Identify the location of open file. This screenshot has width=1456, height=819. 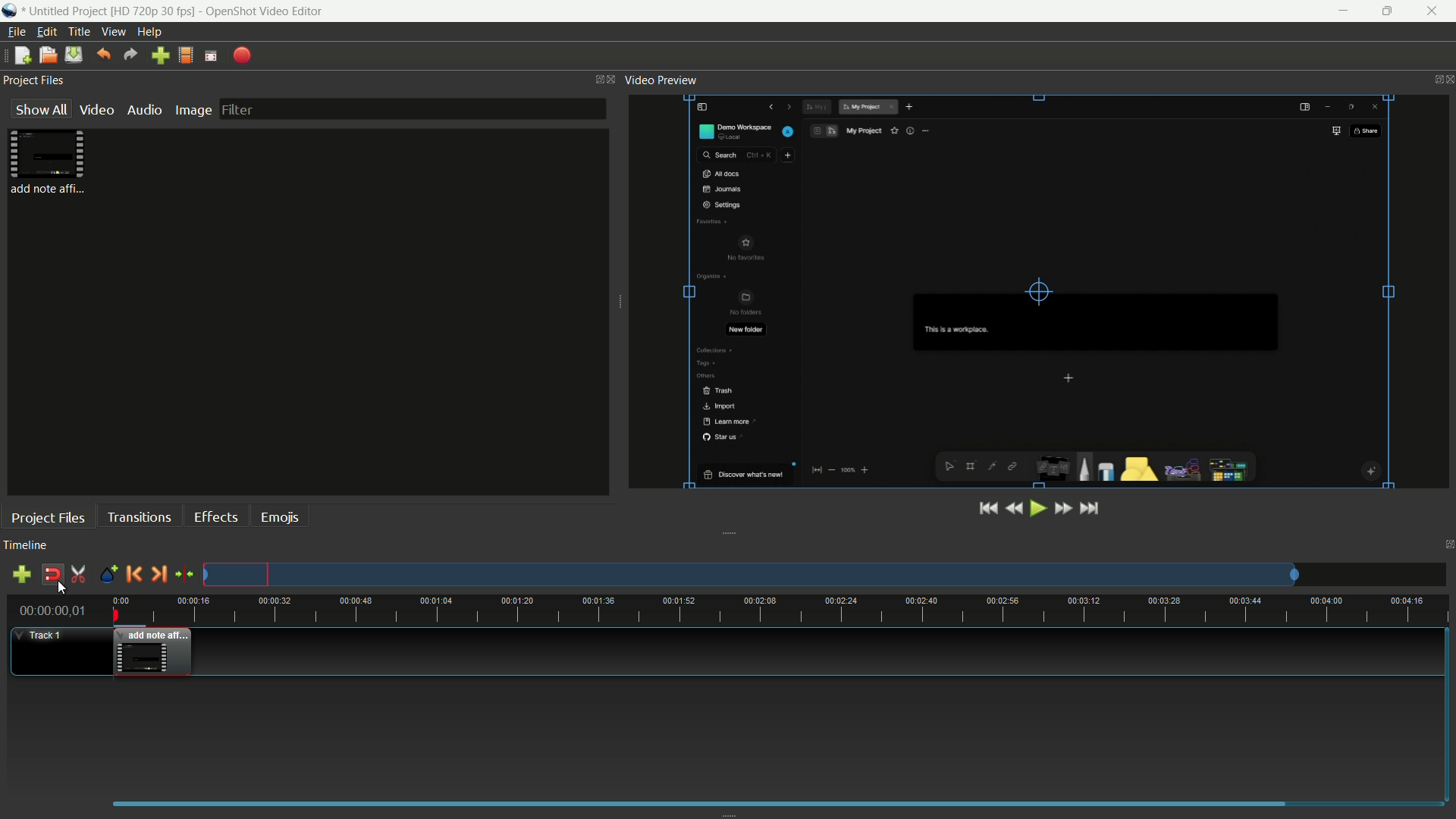
(45, 56).